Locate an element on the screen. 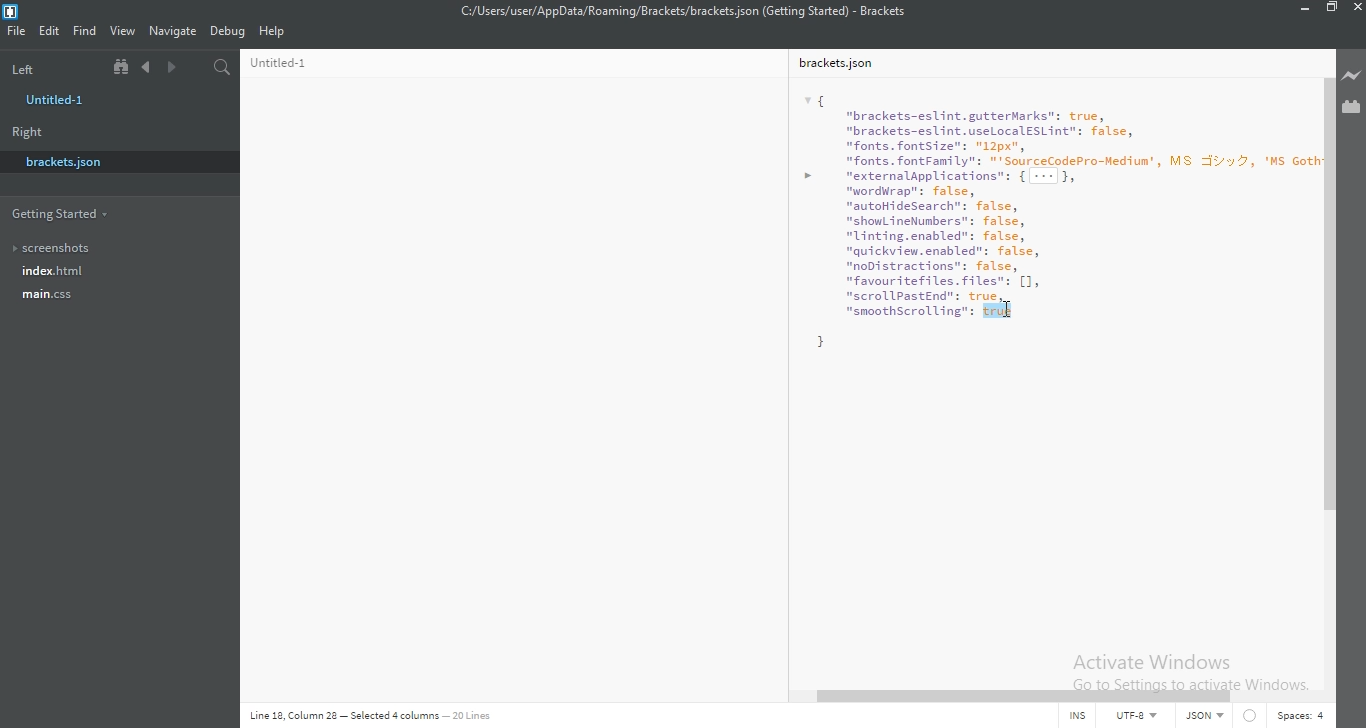 This screenshot has height=728, width=1366. File name is located at coordinates (679, 14).